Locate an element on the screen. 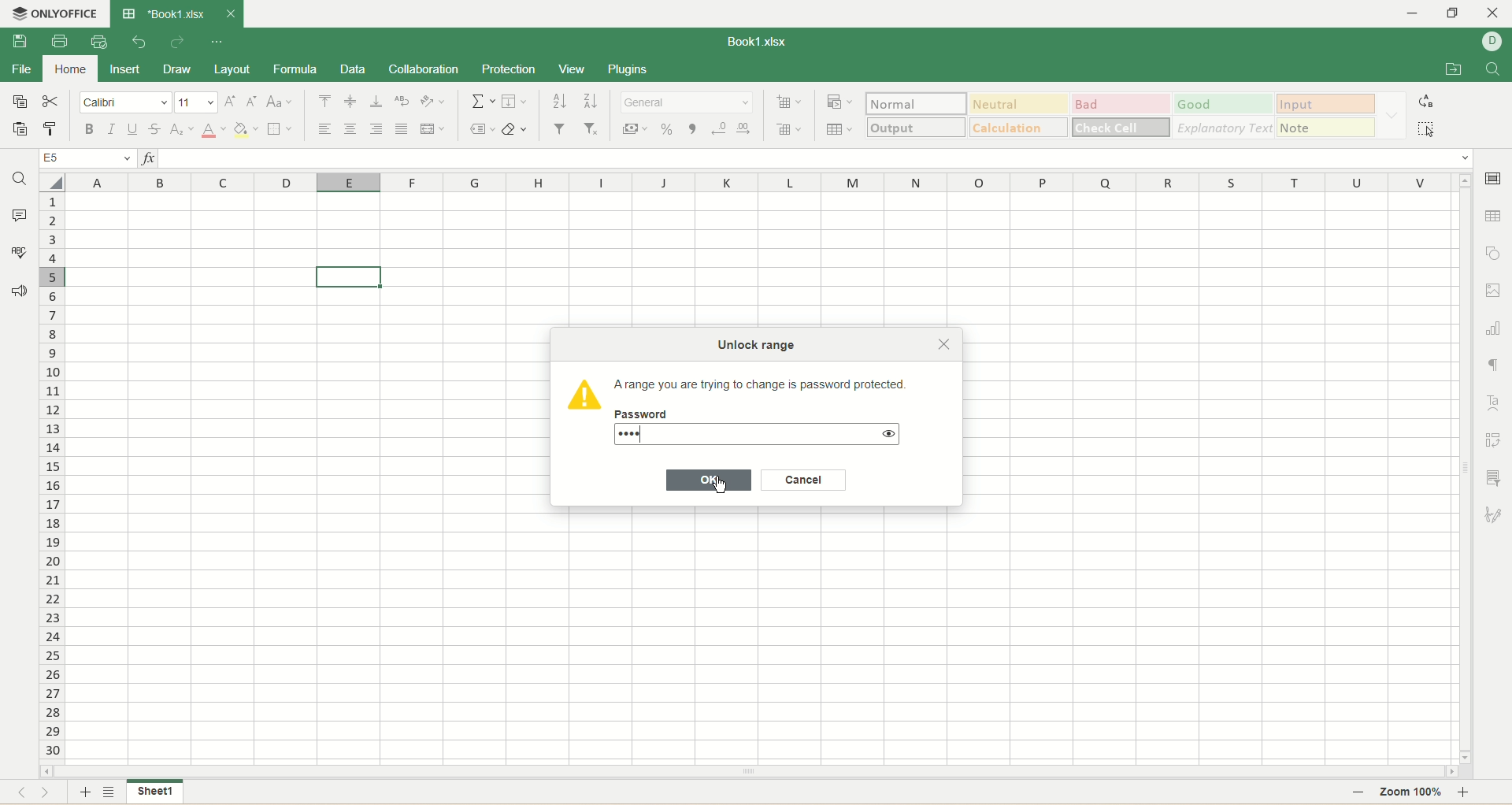 The width and height of the screenshot is (1512, 805). increase size is located at coordinates (231, 102).